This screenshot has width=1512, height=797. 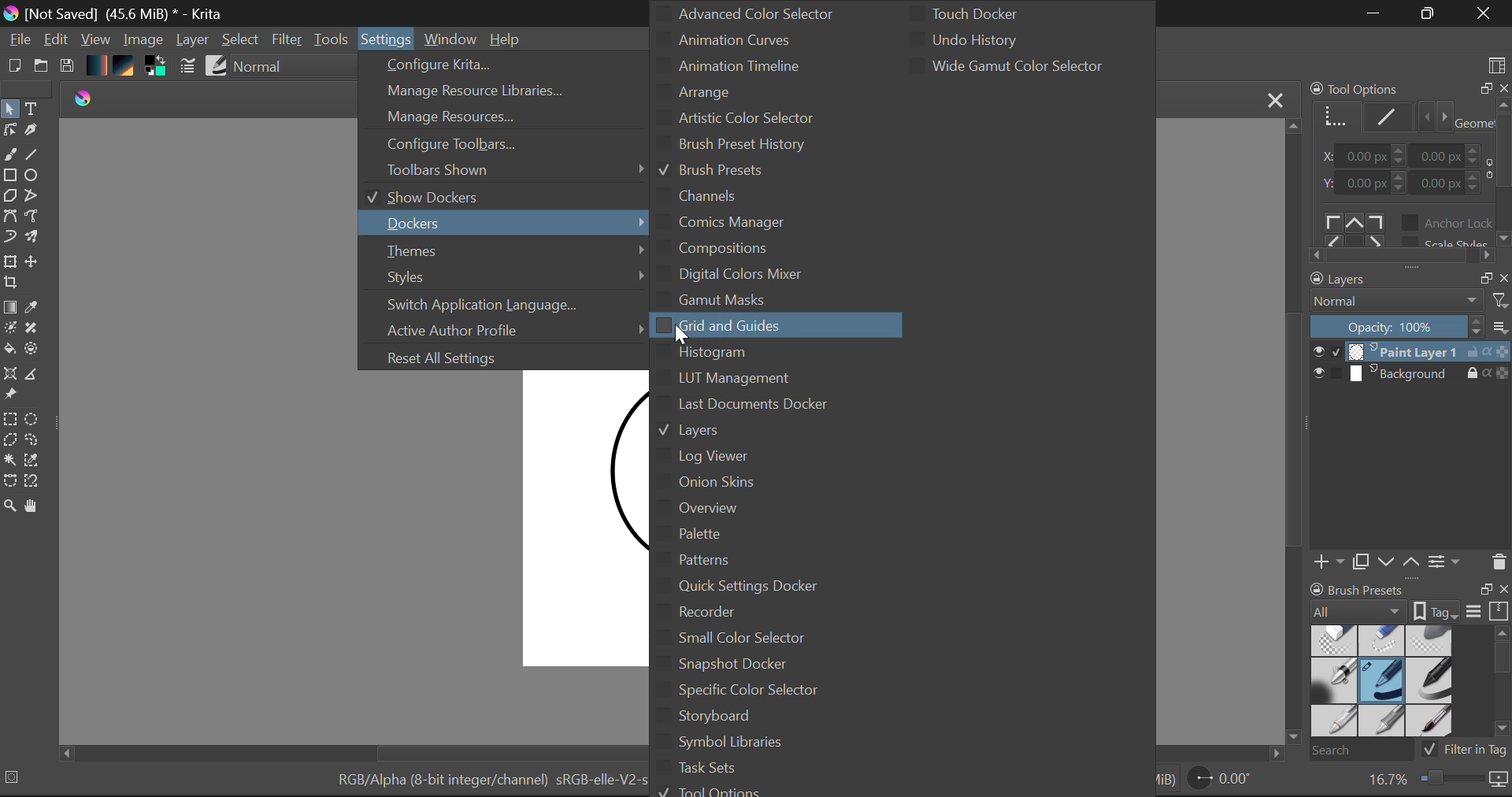 I want to click on Toolbars Shown, so click(x=504, y=170).